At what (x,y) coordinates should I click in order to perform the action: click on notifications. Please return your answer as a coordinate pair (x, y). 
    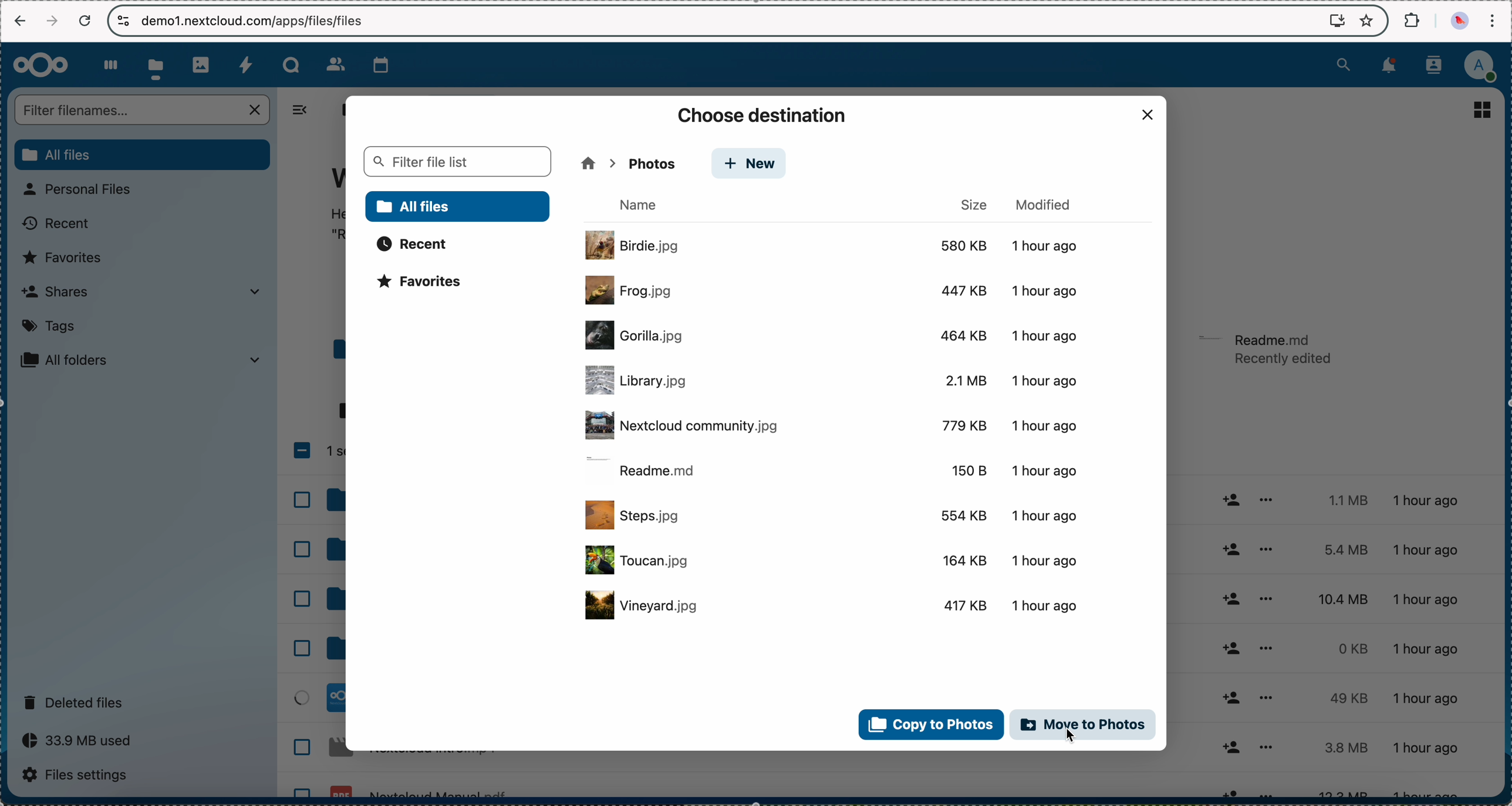
    Looking at the image, I should click on (1391, 66).